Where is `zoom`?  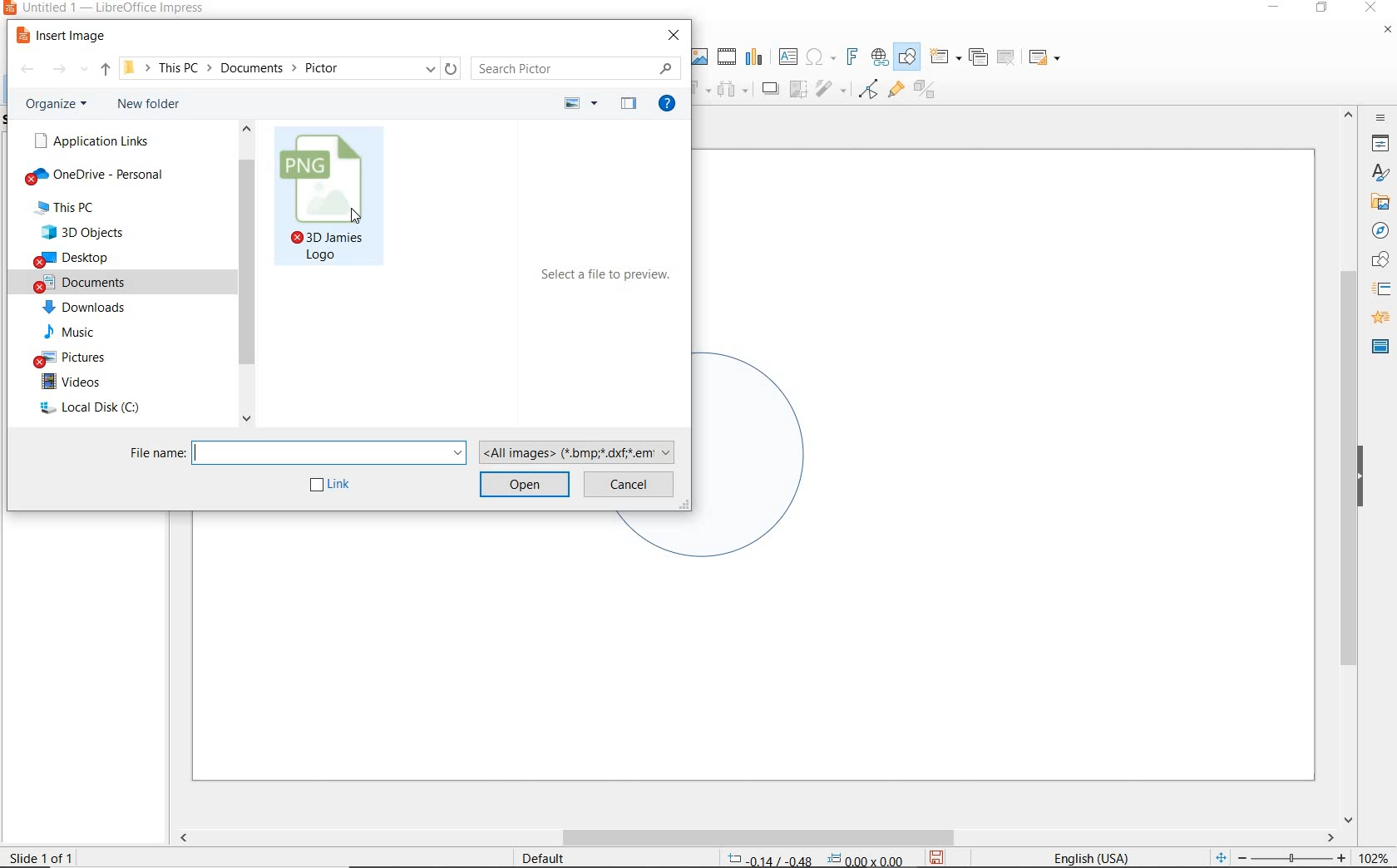 zoom is located at coordinates (1296, 858).